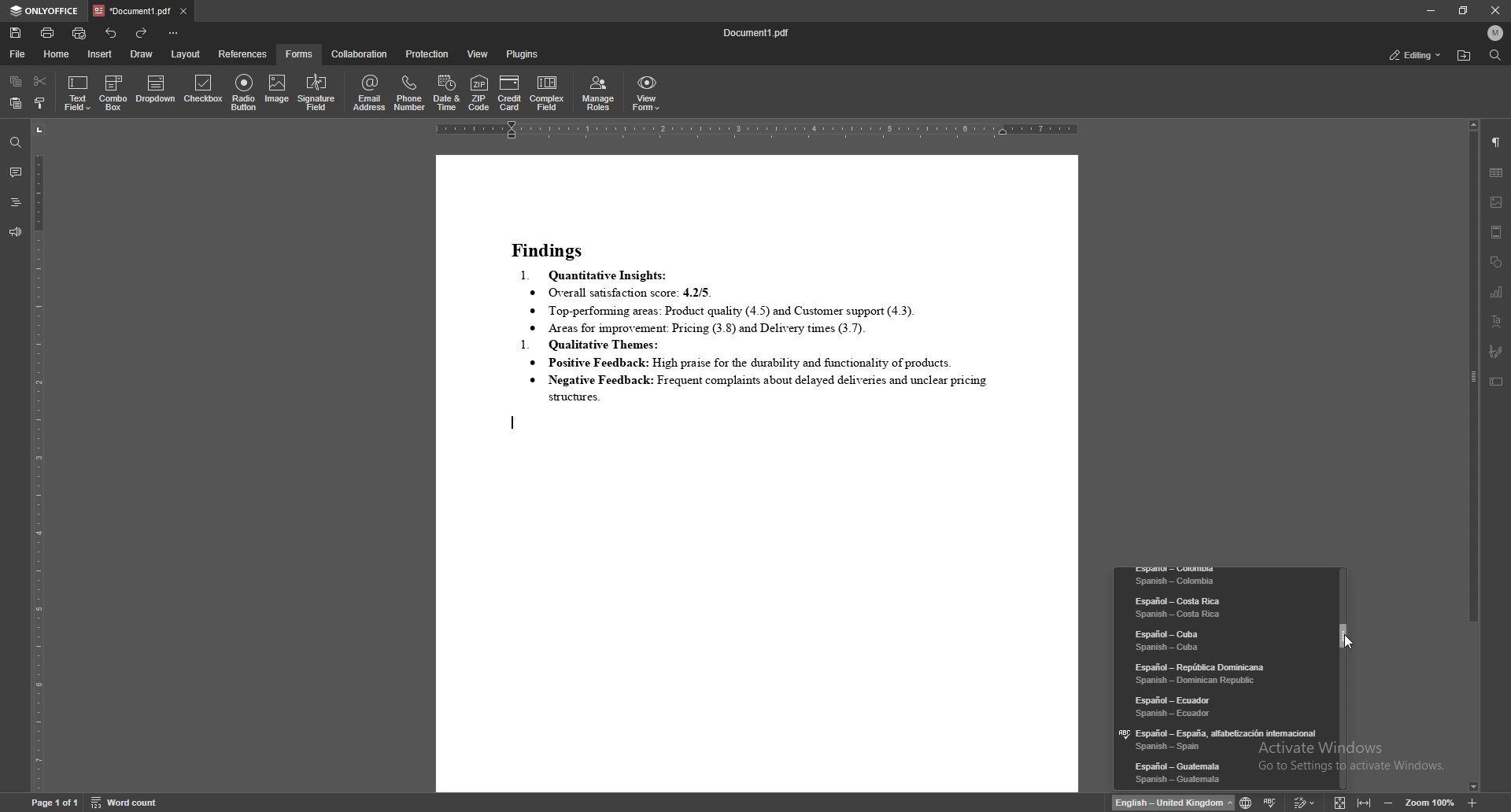 This screenshot has width=1511, height=812. Describe the element at coordinates (370, 93) in the screenshot. I see `email address` at that location.